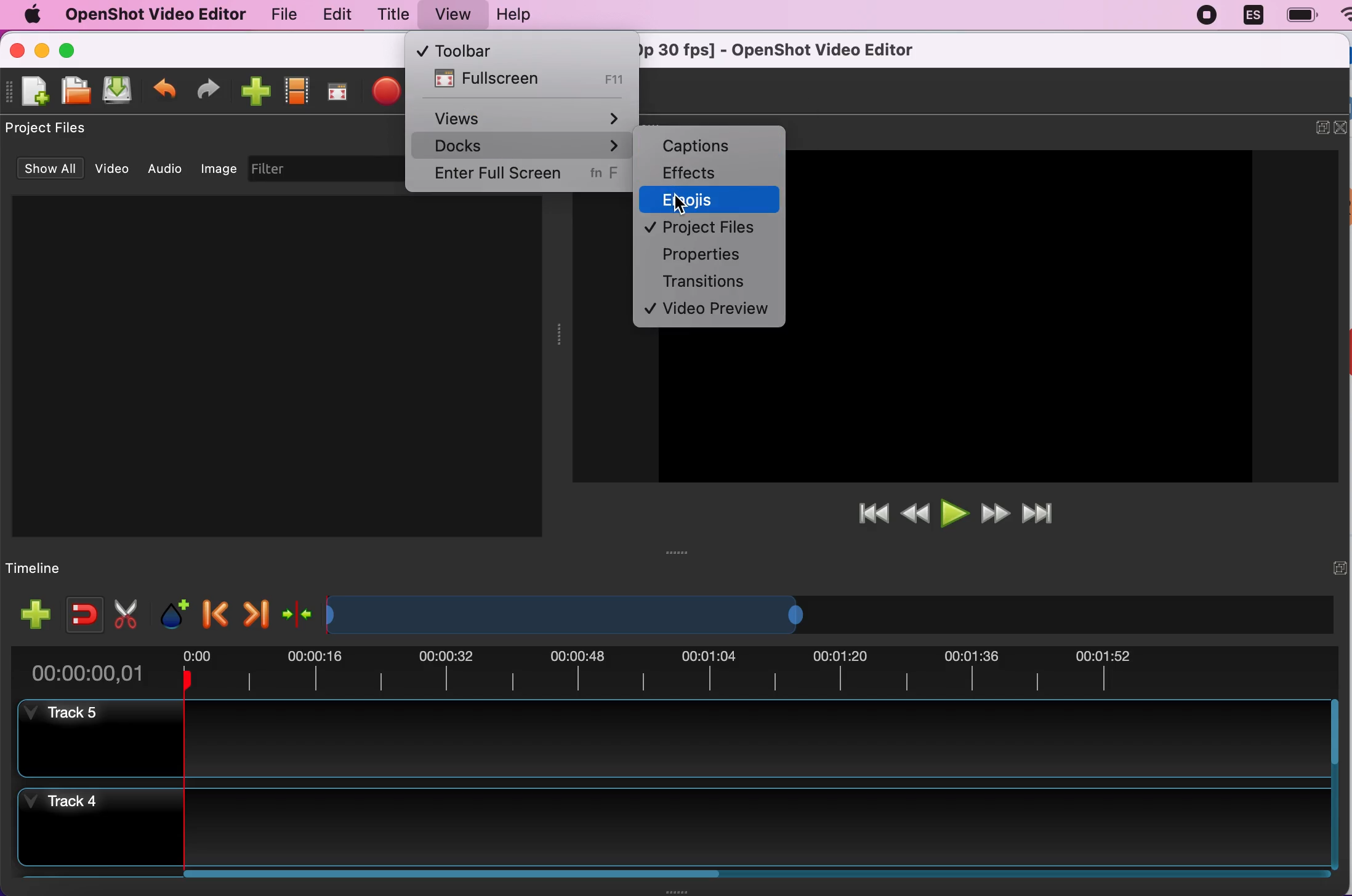  What do you see at coordinates (446, 15) in the screenshot?
I see `view` at bounding box center [446, 15].